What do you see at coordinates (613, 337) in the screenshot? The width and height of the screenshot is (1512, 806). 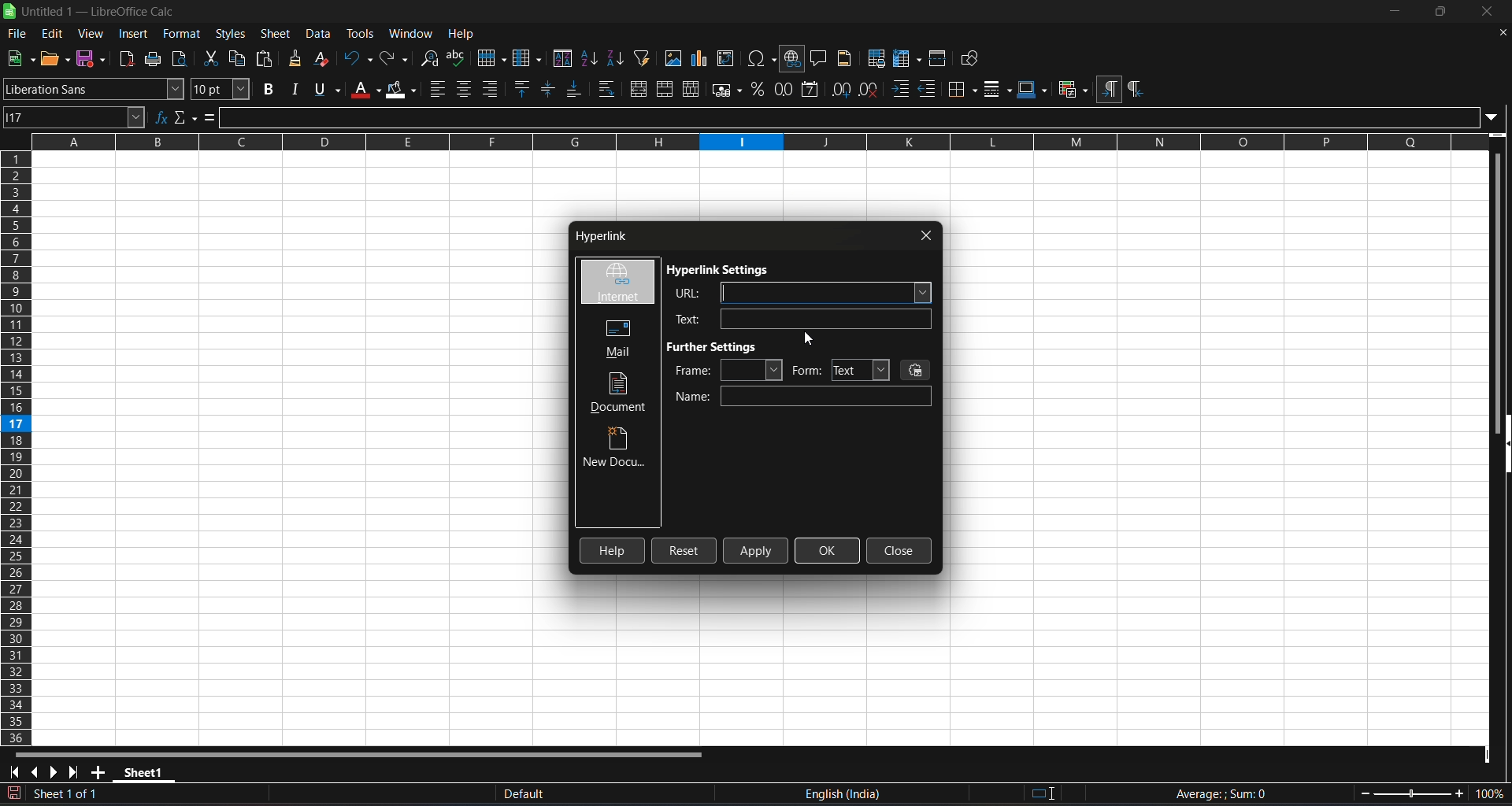 I see `mail` at bounding box center [613, 337].